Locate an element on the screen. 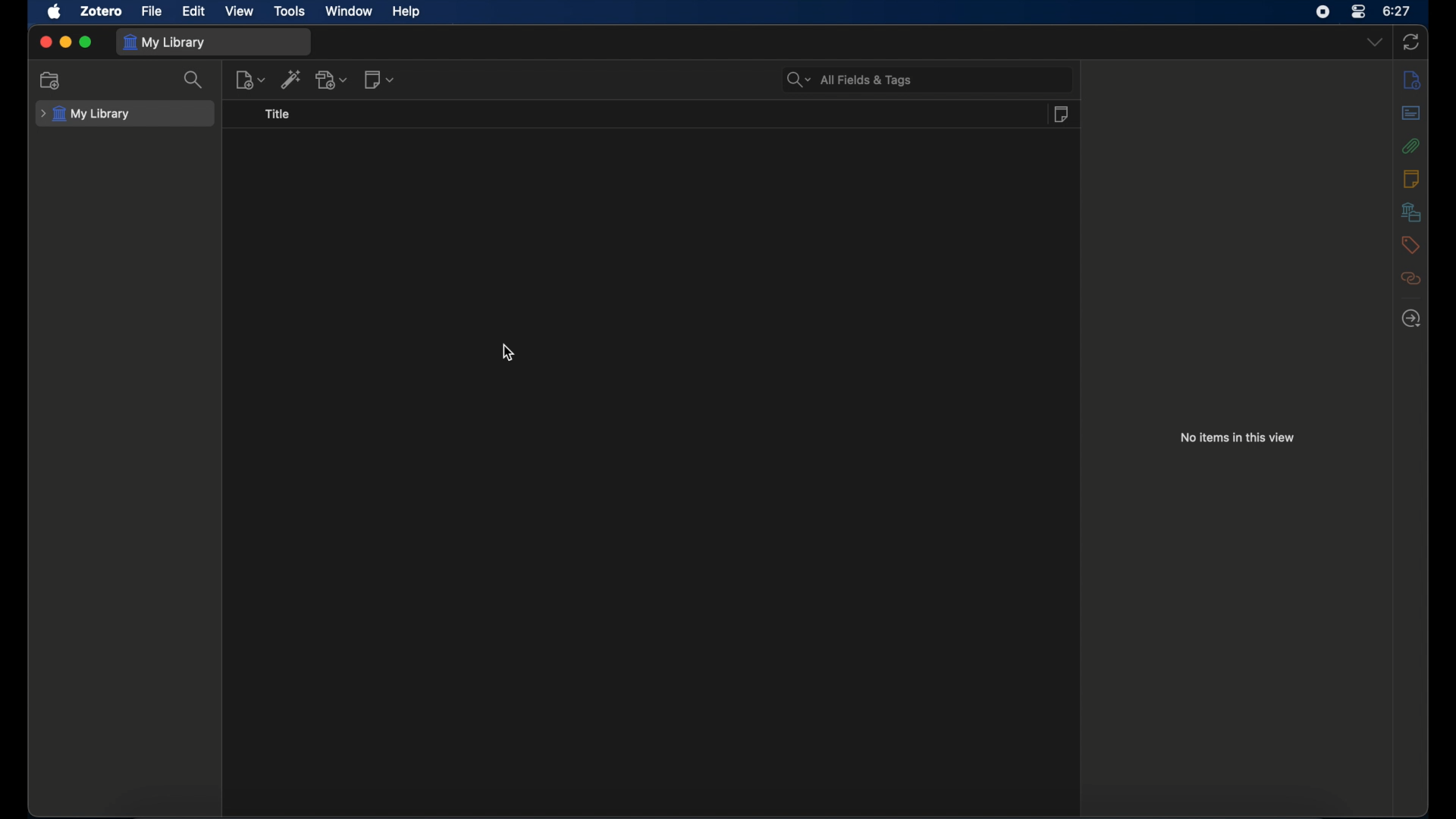 The image size is (1456, 819). window is located at coordinates (350, 11).